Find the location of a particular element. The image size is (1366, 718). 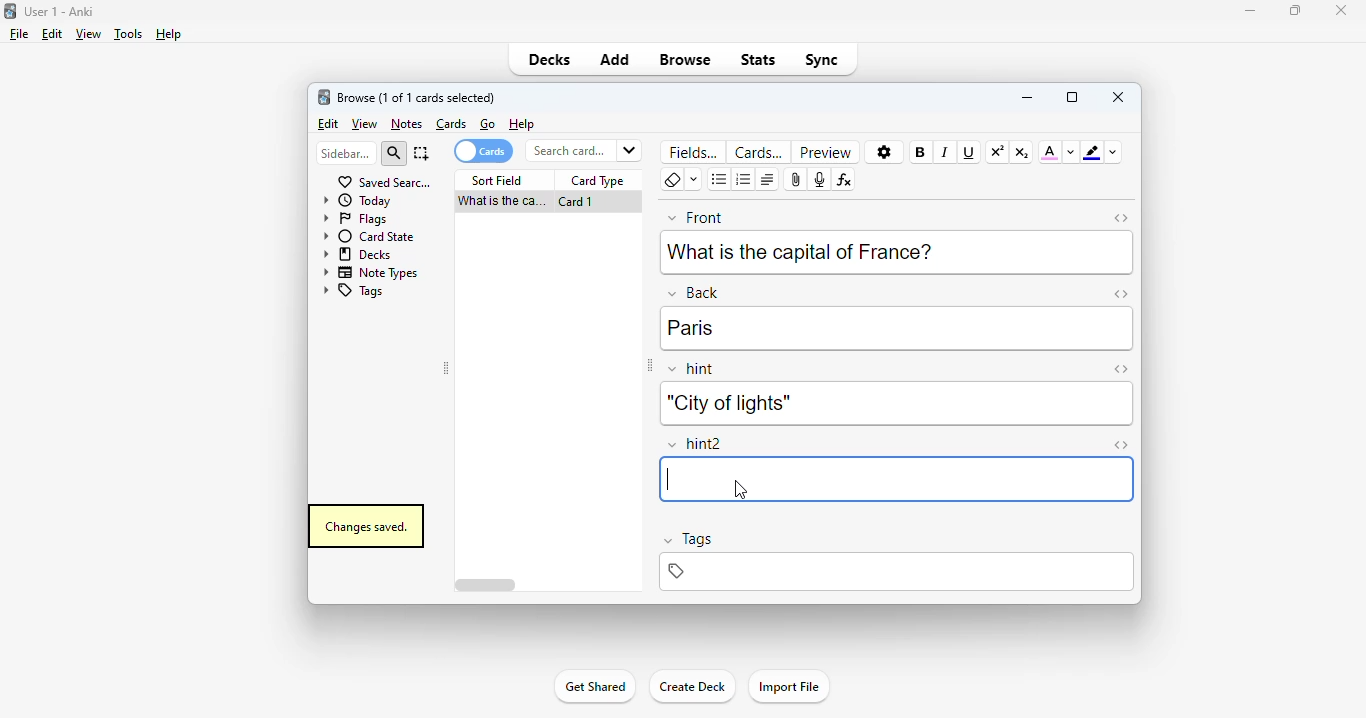

what is the capital of France? is located at coordinates (499, 202).